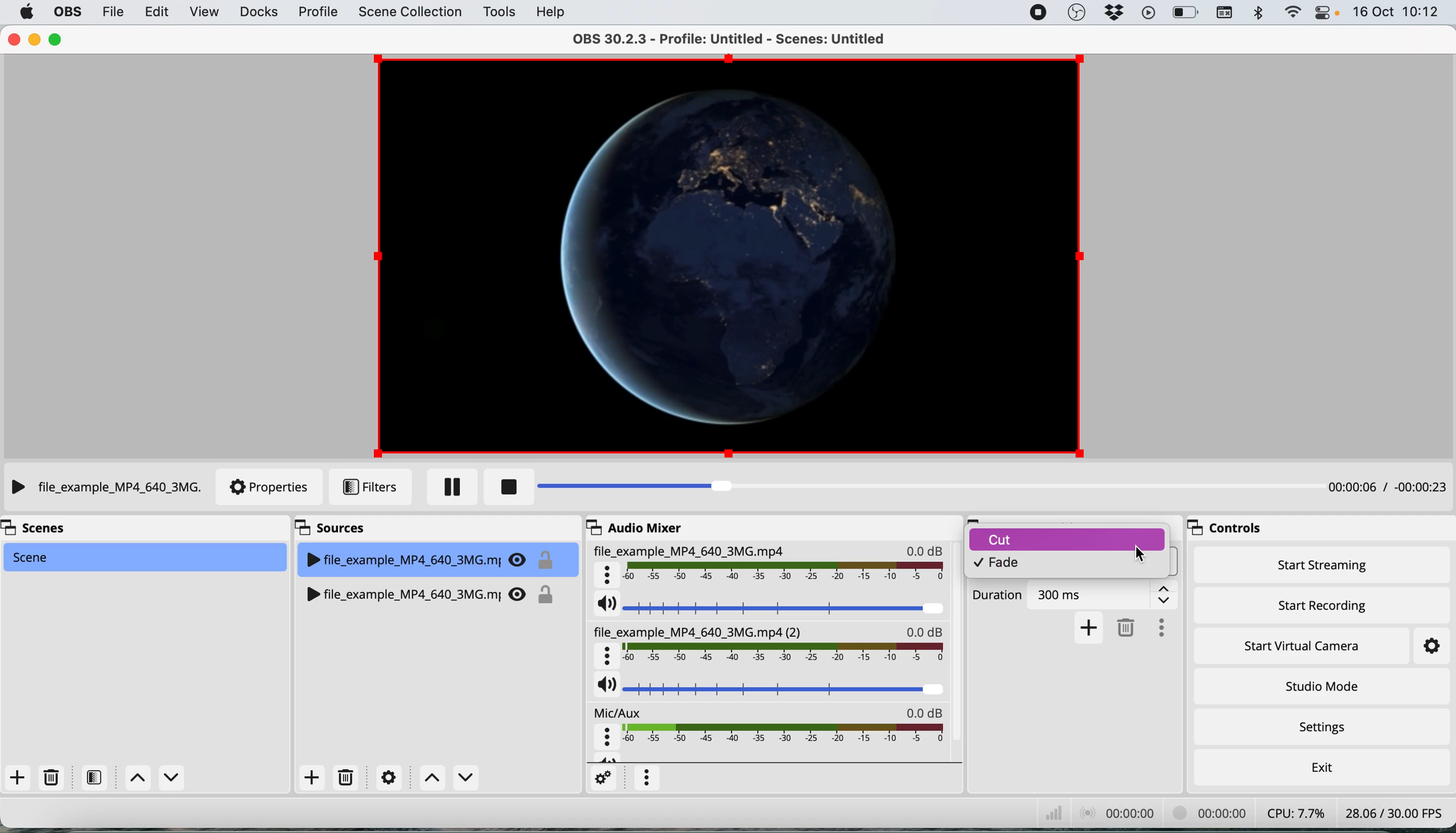  I want to click on battery, so click(1187, 13).